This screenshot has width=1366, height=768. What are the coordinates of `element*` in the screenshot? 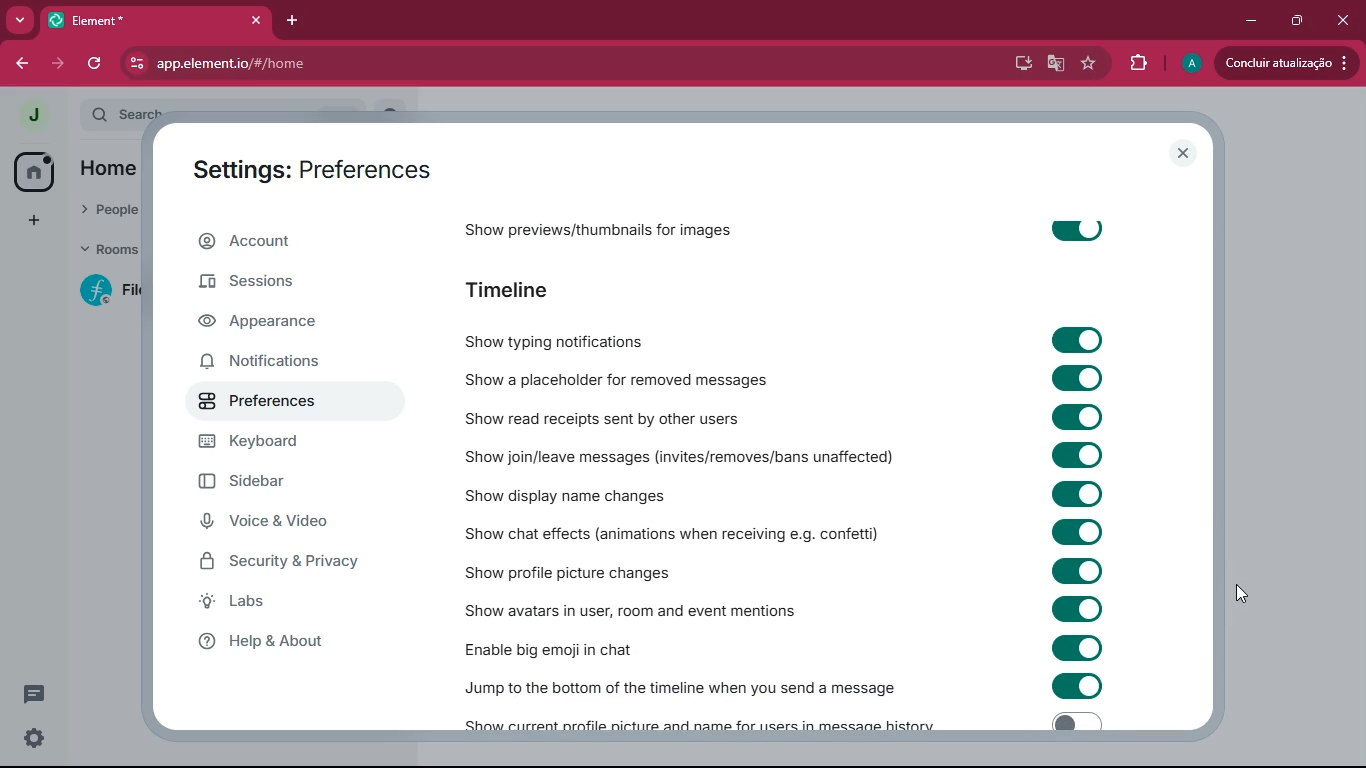 It's located at (131, 20).